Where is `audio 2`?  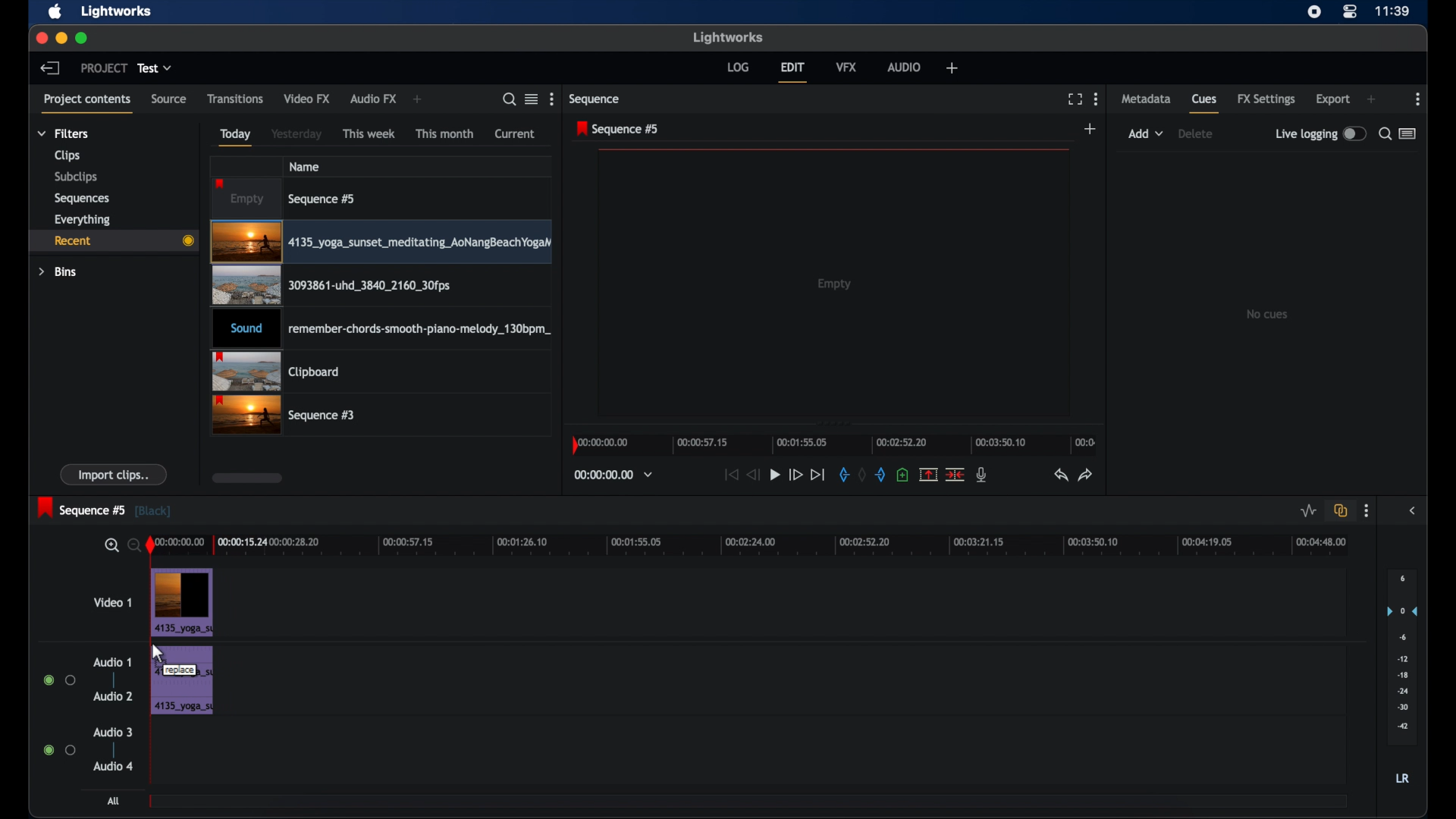 audio 2 is located at coordinates (115, 696).